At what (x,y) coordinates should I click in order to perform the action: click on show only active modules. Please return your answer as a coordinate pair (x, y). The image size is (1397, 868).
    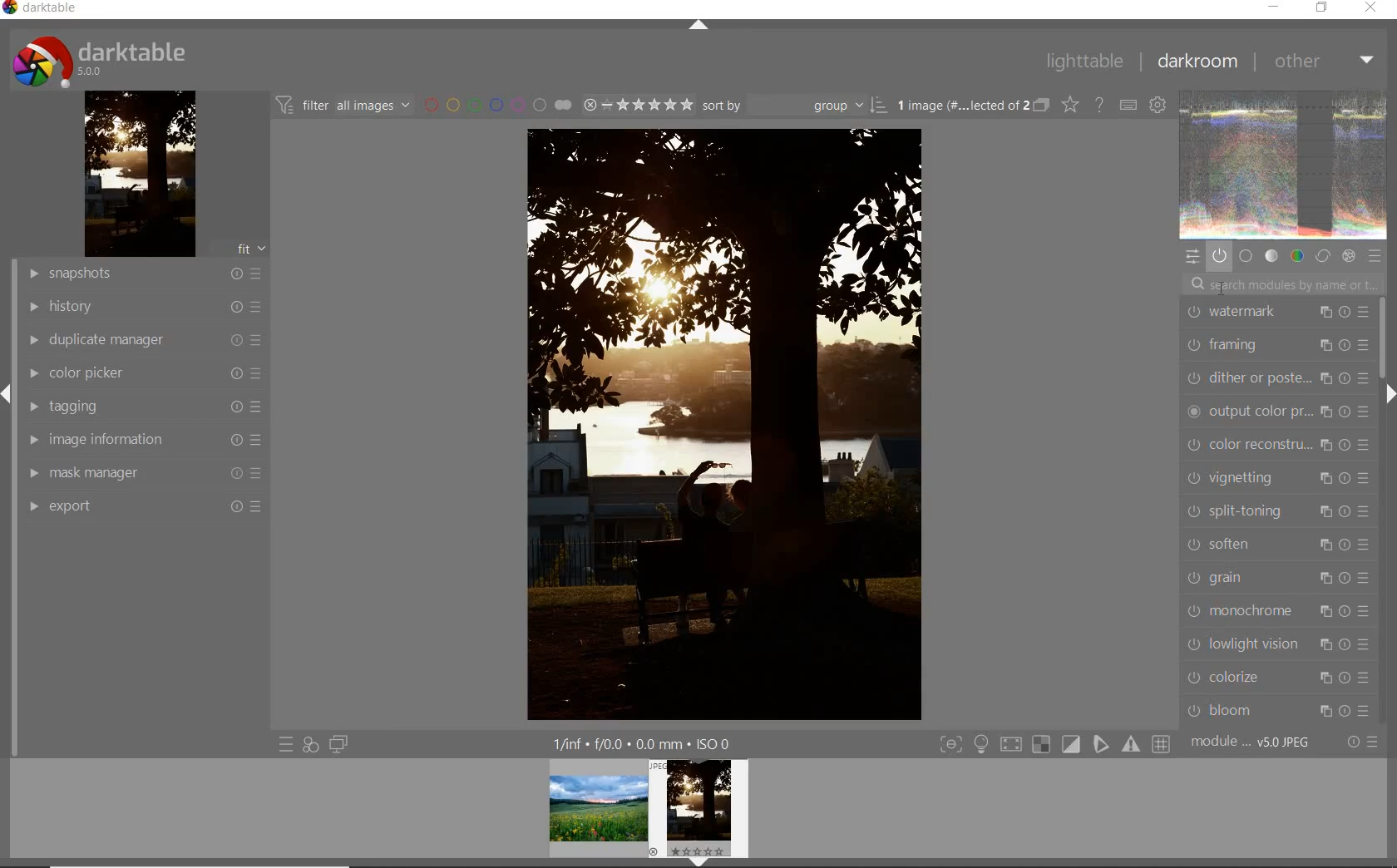
    Looking at the image, I should click on (1220, 255).